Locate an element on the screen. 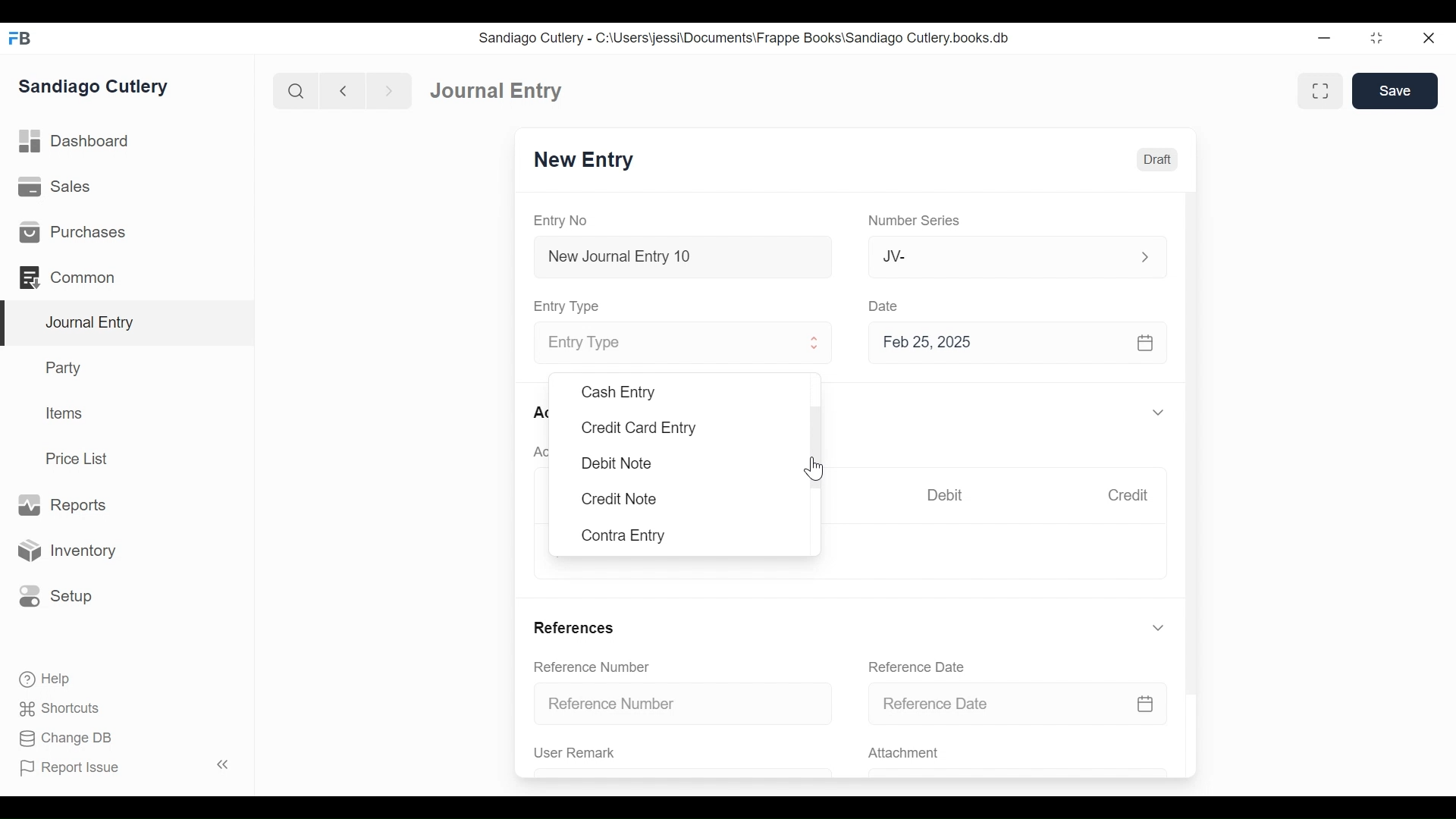 This screenshot has height=819, width=1456. Inventory is located at coordinates (71, 550).